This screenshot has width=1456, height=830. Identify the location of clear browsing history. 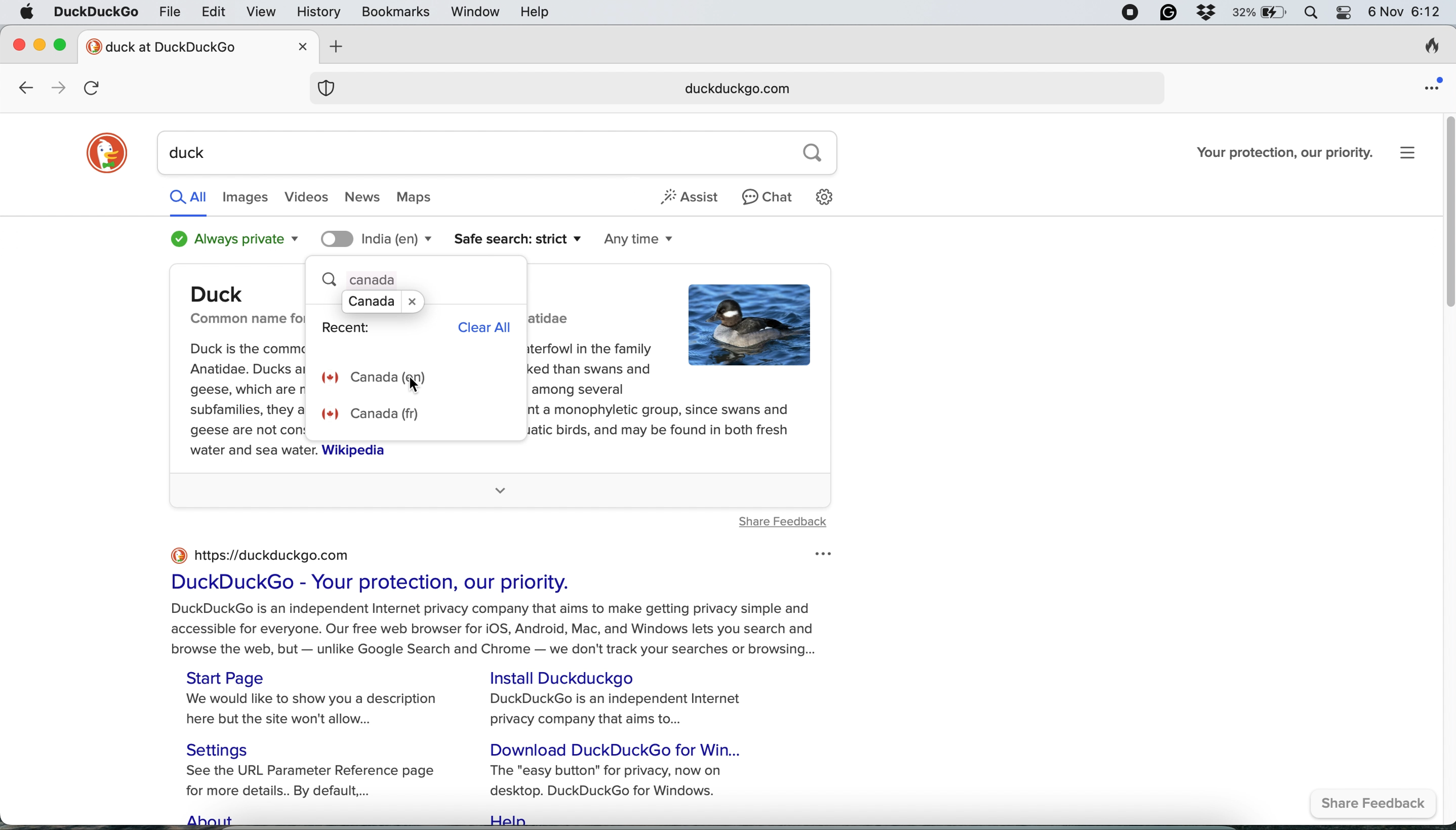
(1431, 48).